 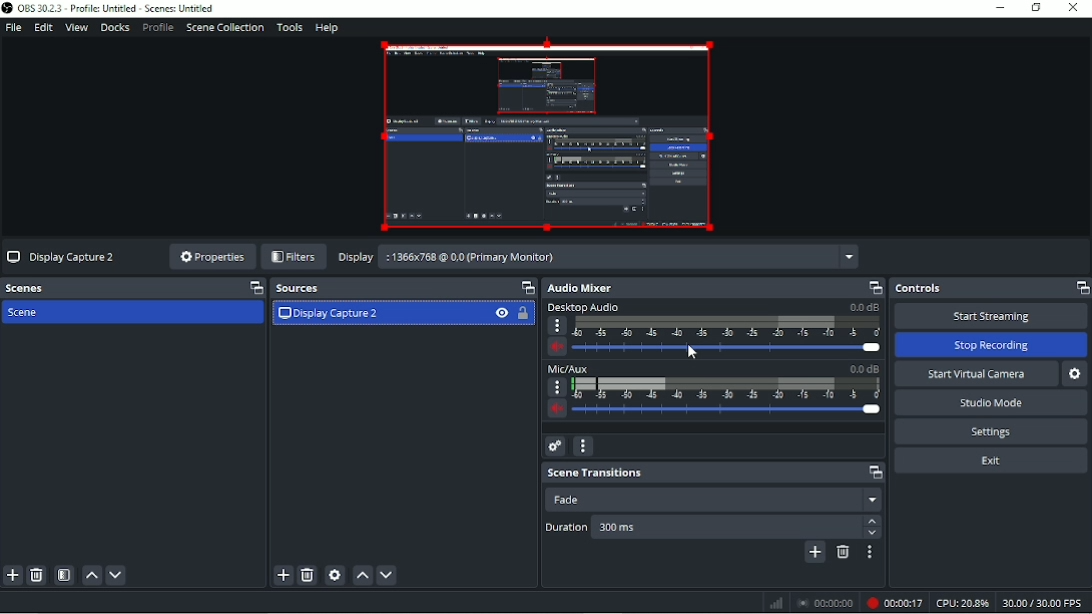 What do you see at coordinates (290, 28) in the screenshot?
I see `Tools` at bounding box center [290, 28].